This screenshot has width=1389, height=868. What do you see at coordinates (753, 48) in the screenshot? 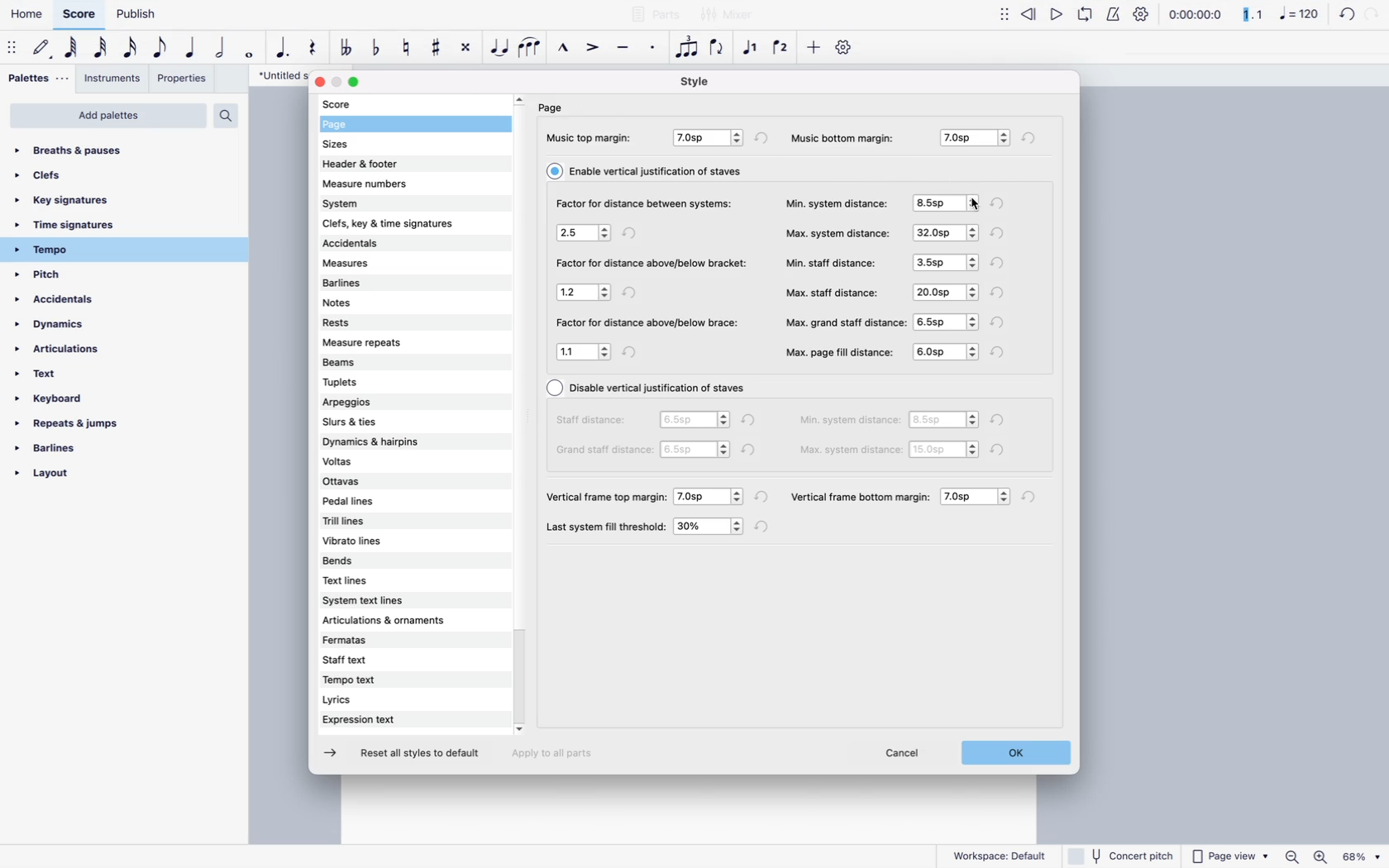
I see `voice 1` at bounding box center [753, 48].